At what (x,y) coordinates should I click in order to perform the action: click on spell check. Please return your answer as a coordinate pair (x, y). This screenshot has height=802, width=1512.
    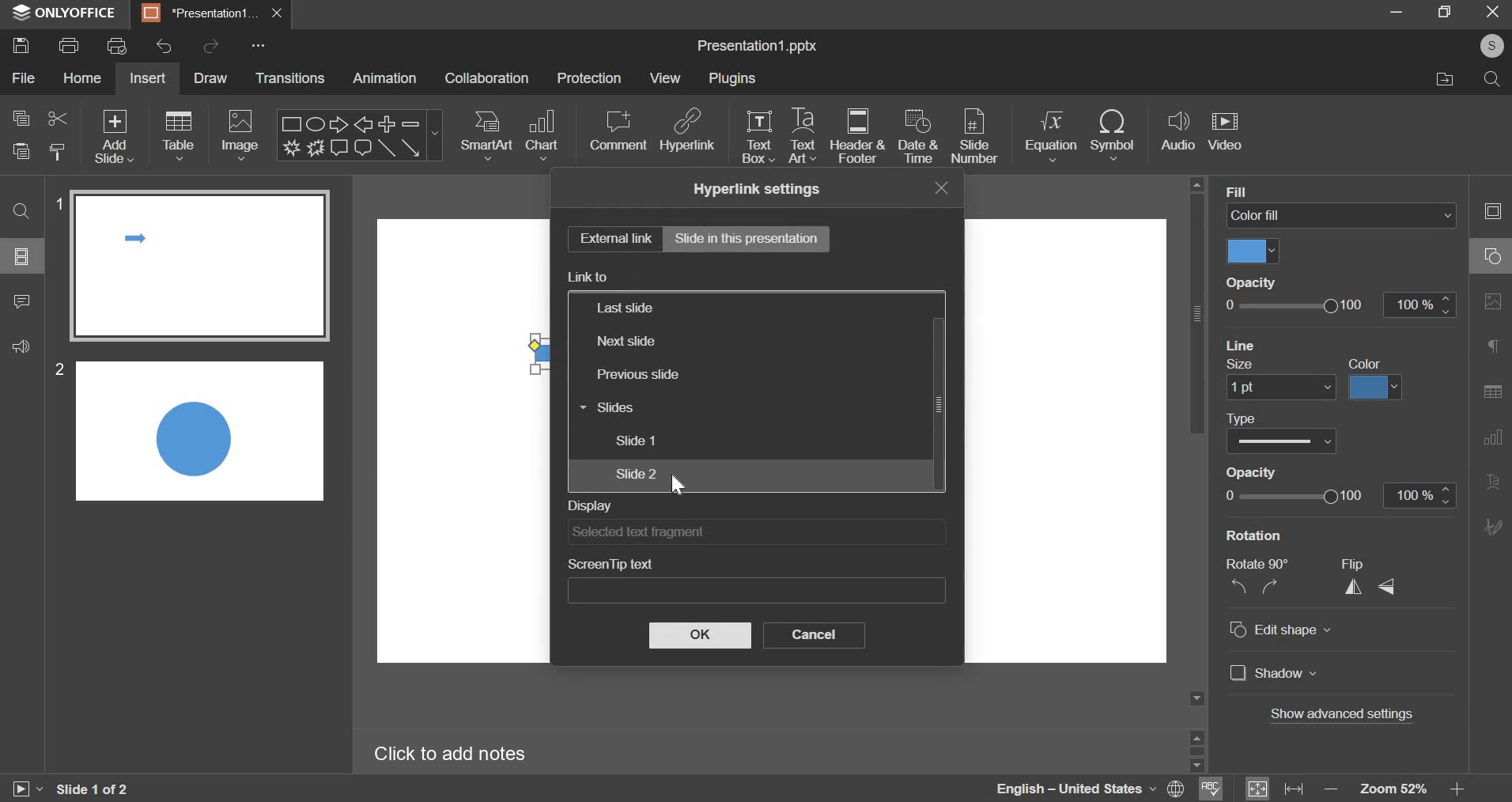
    Looking at the image, I should click on (1211, 789).